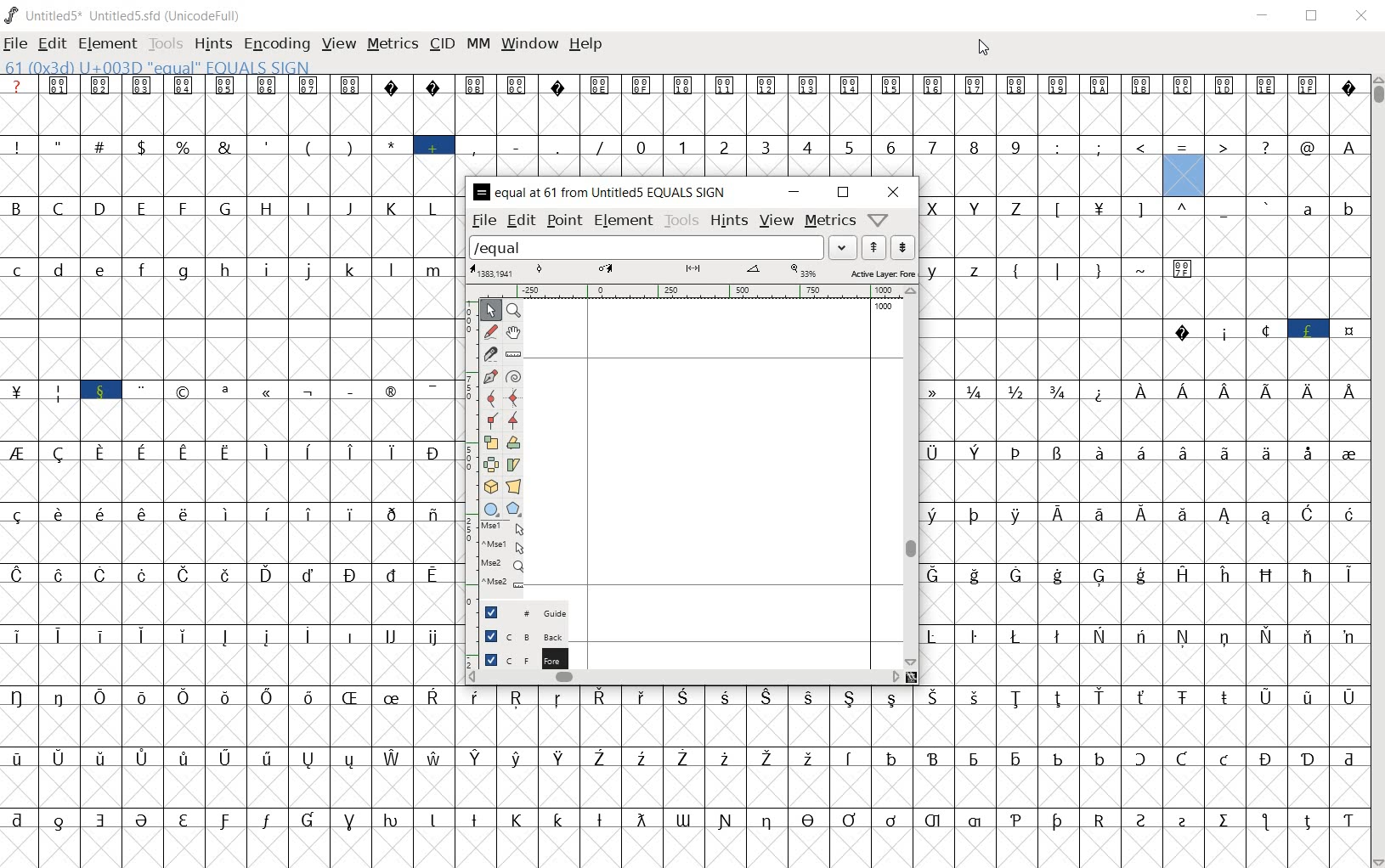  What do you see at coordinates (514, 420) in the screenshot?
I see `Add a corner point` at bounding box center [514, 420].